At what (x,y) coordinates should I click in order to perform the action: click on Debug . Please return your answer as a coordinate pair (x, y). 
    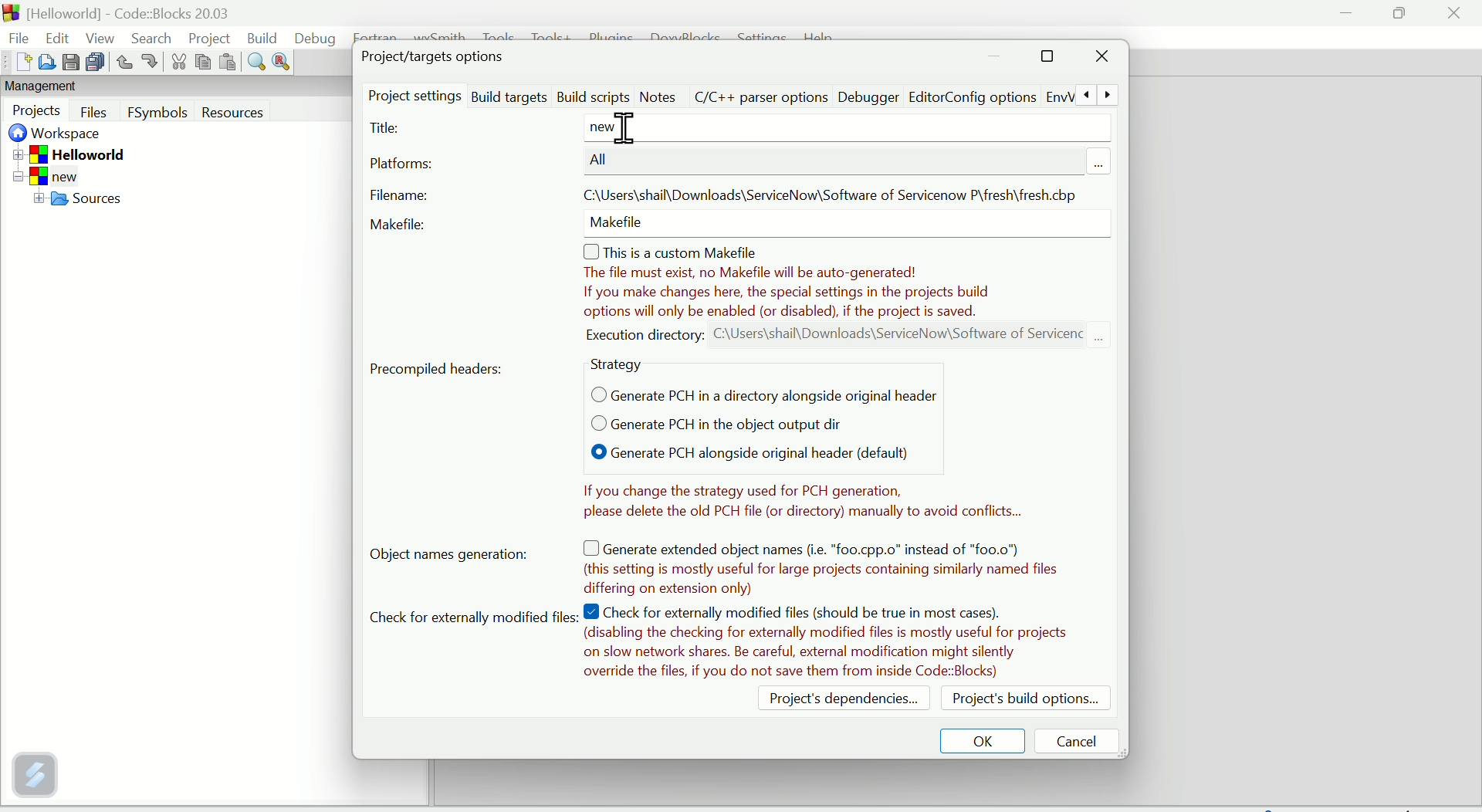
    Looking at the image, I should click on (315, 37).